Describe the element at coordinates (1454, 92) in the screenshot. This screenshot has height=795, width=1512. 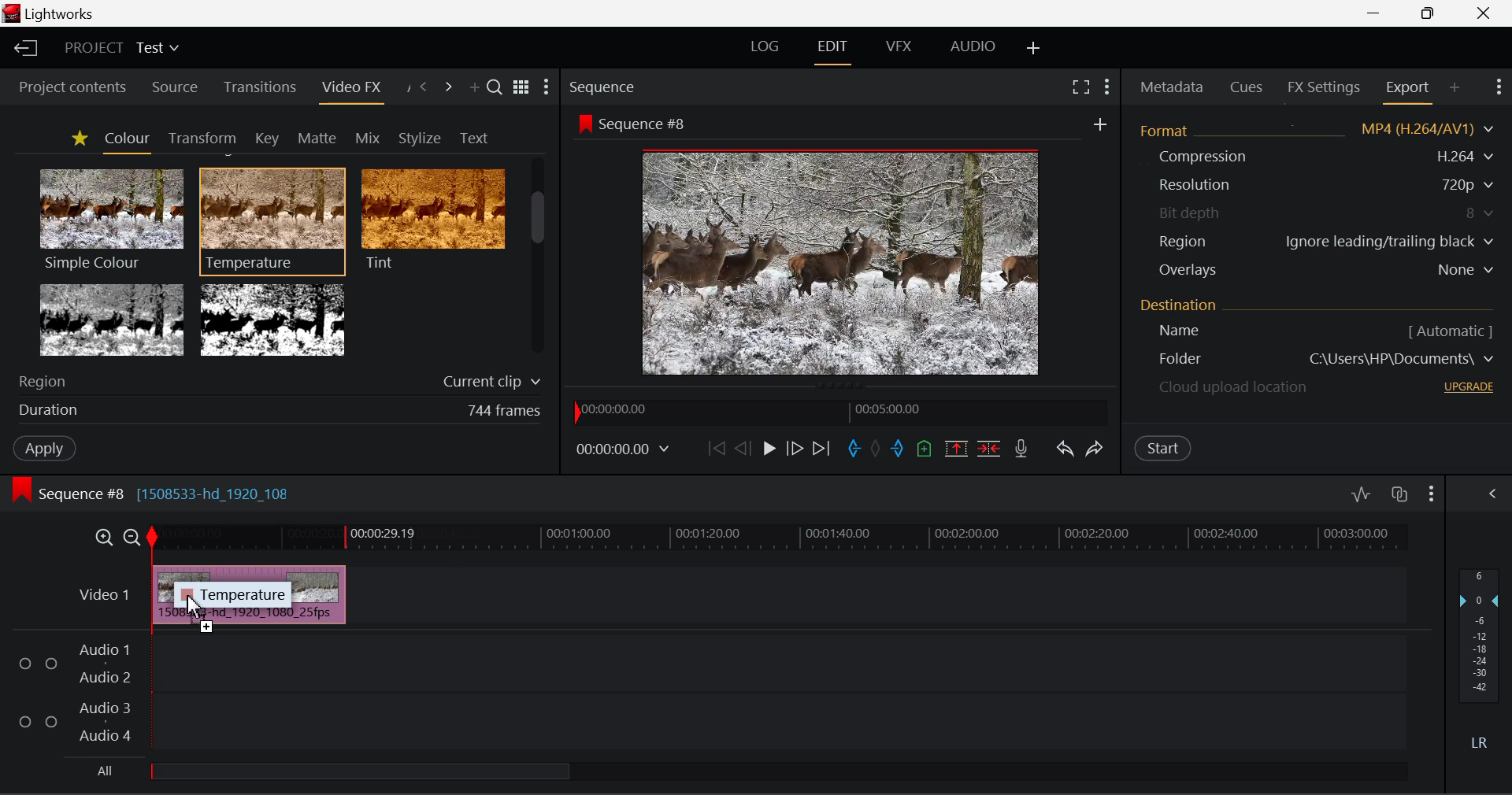
I see `Add Panel` at that location.